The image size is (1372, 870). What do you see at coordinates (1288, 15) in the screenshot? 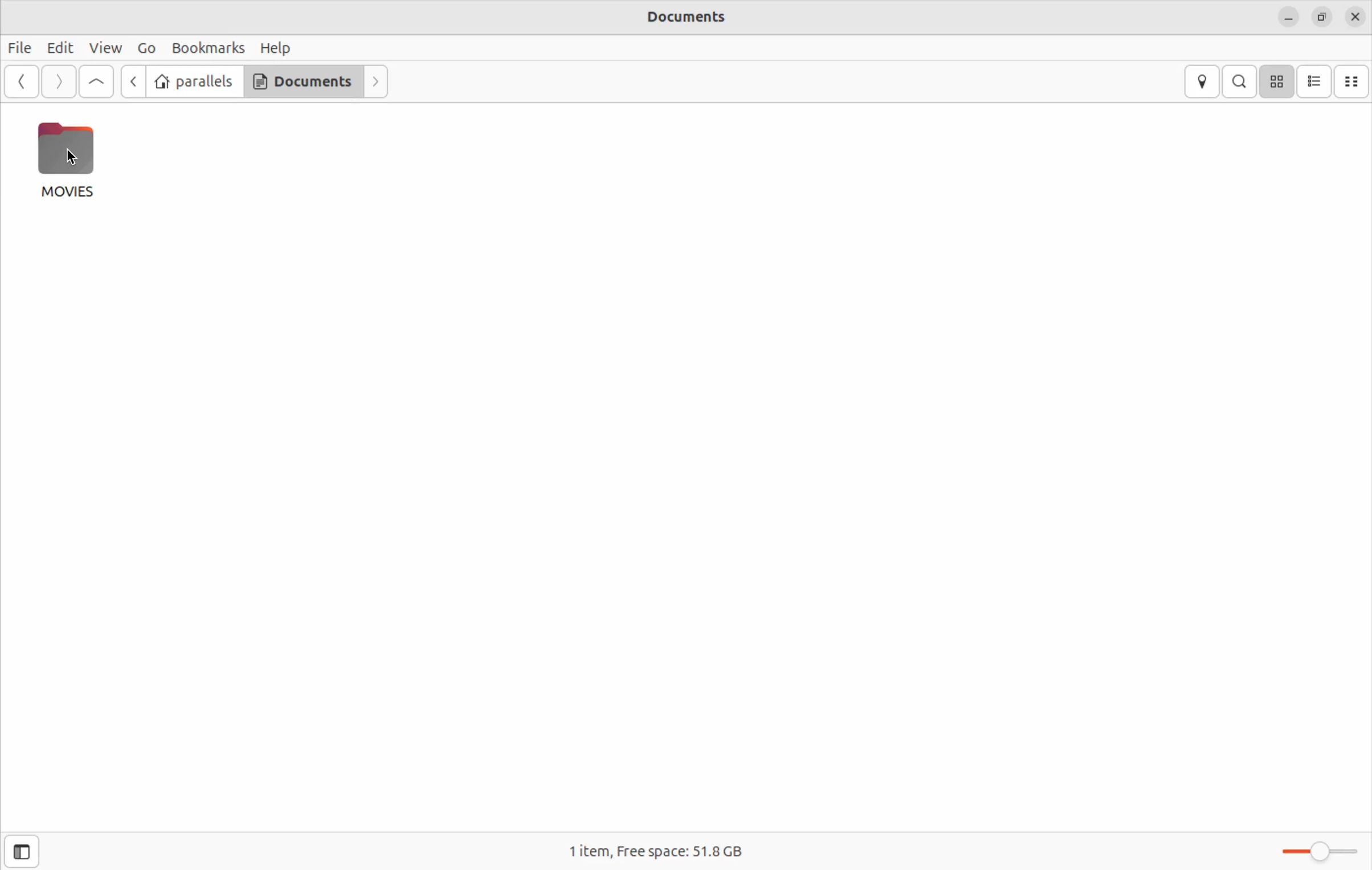
I see `minimize` at bounding box center [1288, 15].